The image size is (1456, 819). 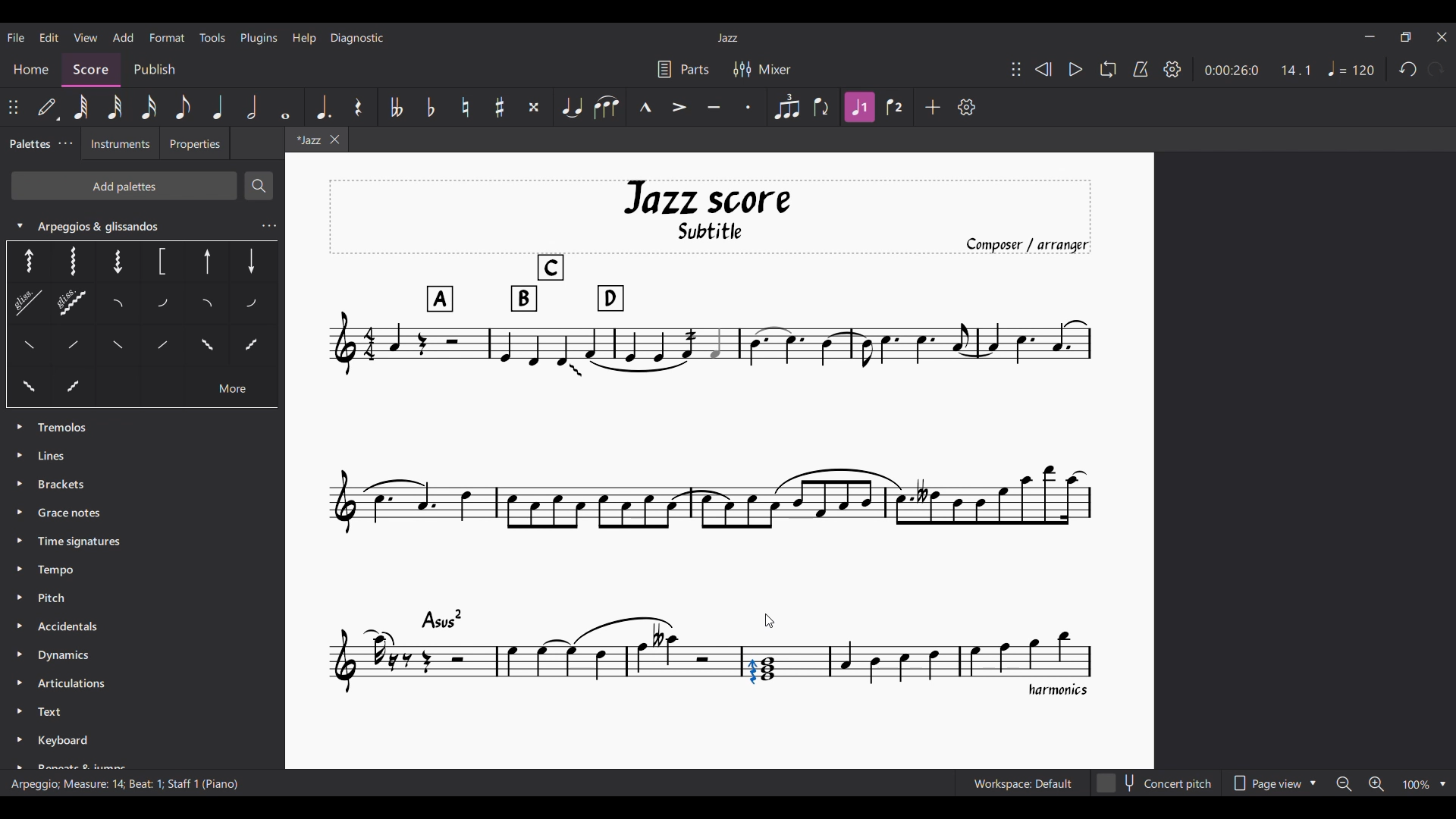 I want to click on Properties, so click(x=200, y=145).